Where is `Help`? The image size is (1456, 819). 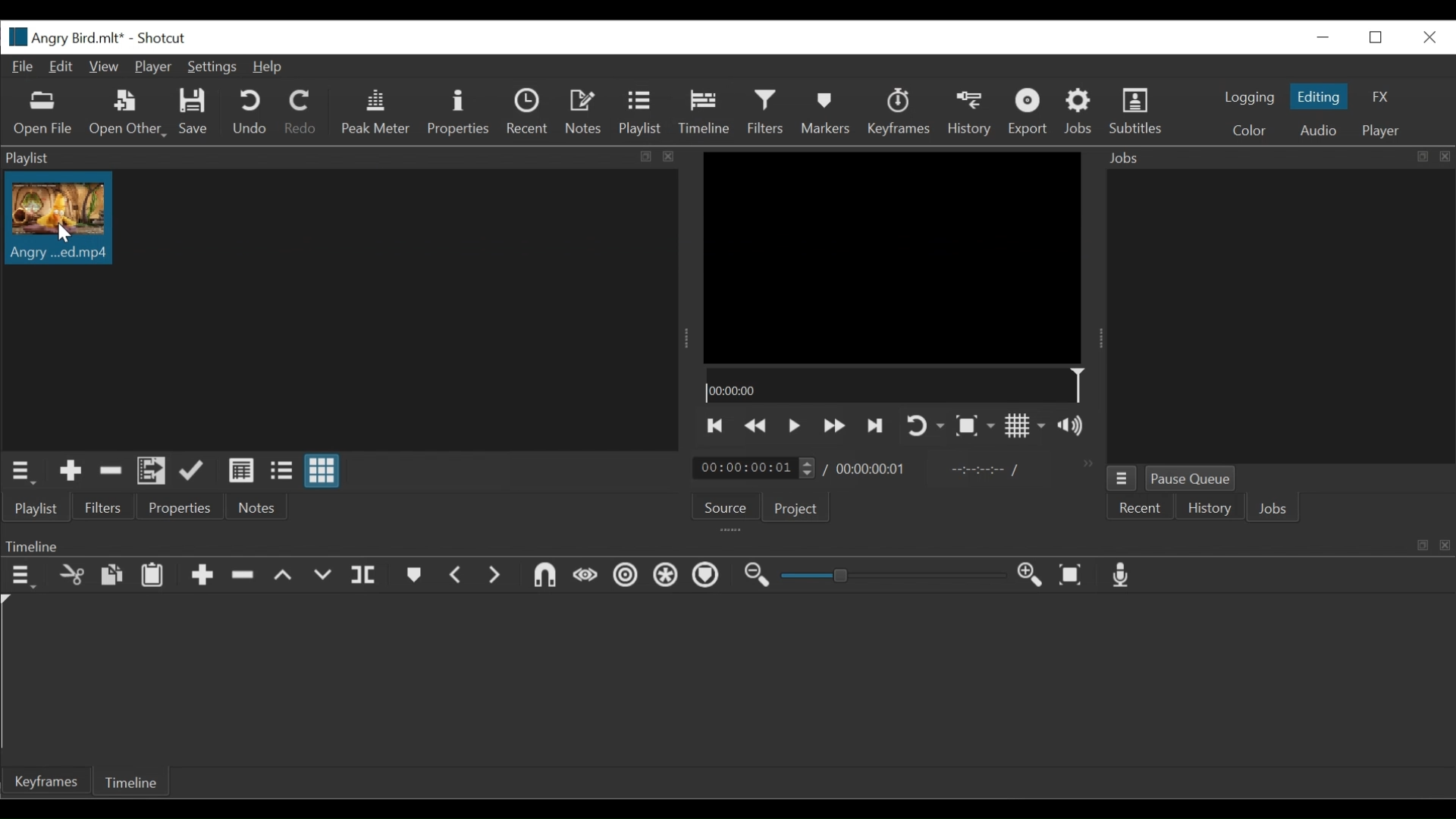 Help is located at coordinates (268, 67).